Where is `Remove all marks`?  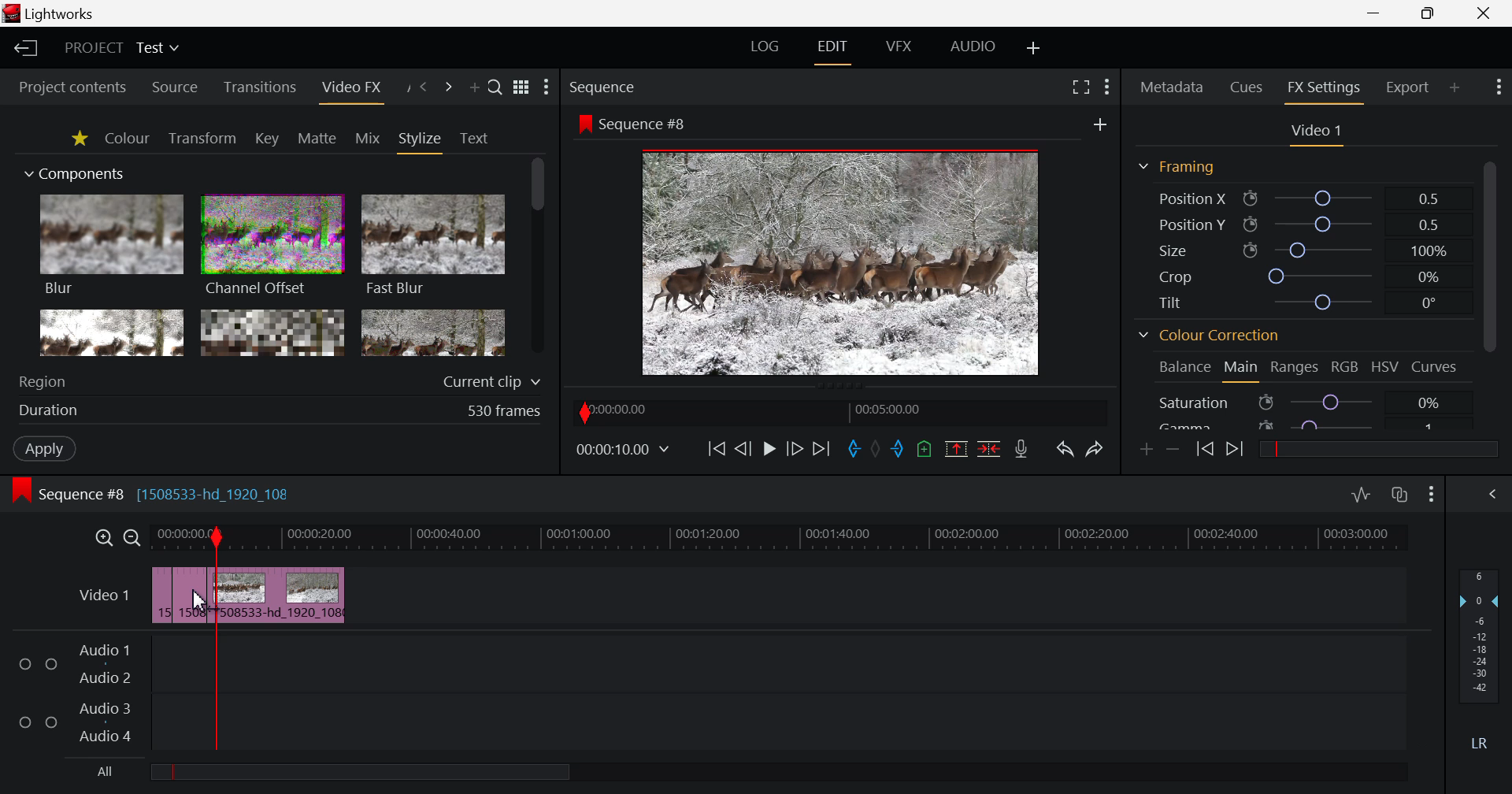
Remove all marks is located at coordinates (880, 447).